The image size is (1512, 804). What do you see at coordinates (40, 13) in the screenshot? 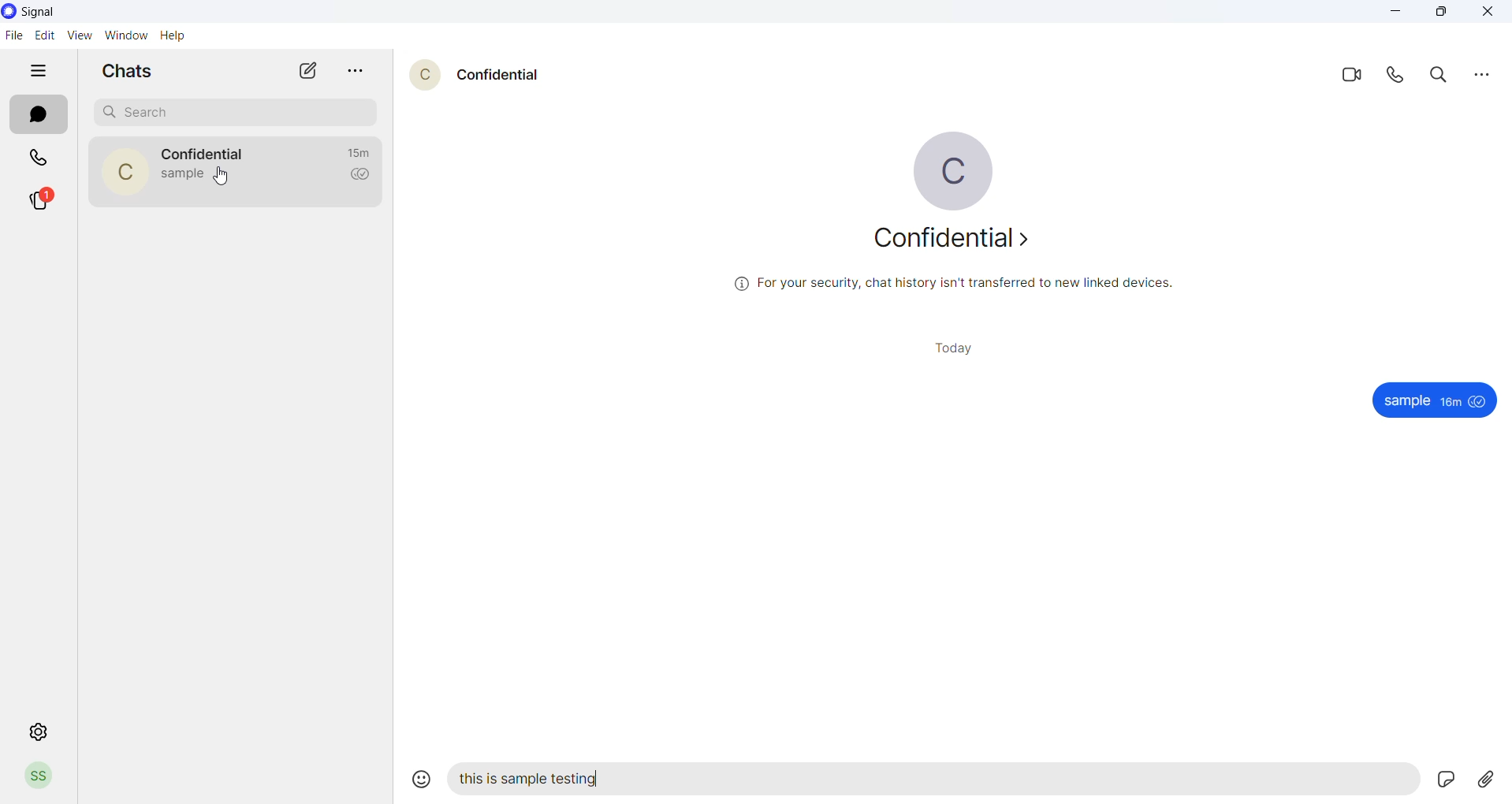
I see `signal` at bounding box center [40, 13].